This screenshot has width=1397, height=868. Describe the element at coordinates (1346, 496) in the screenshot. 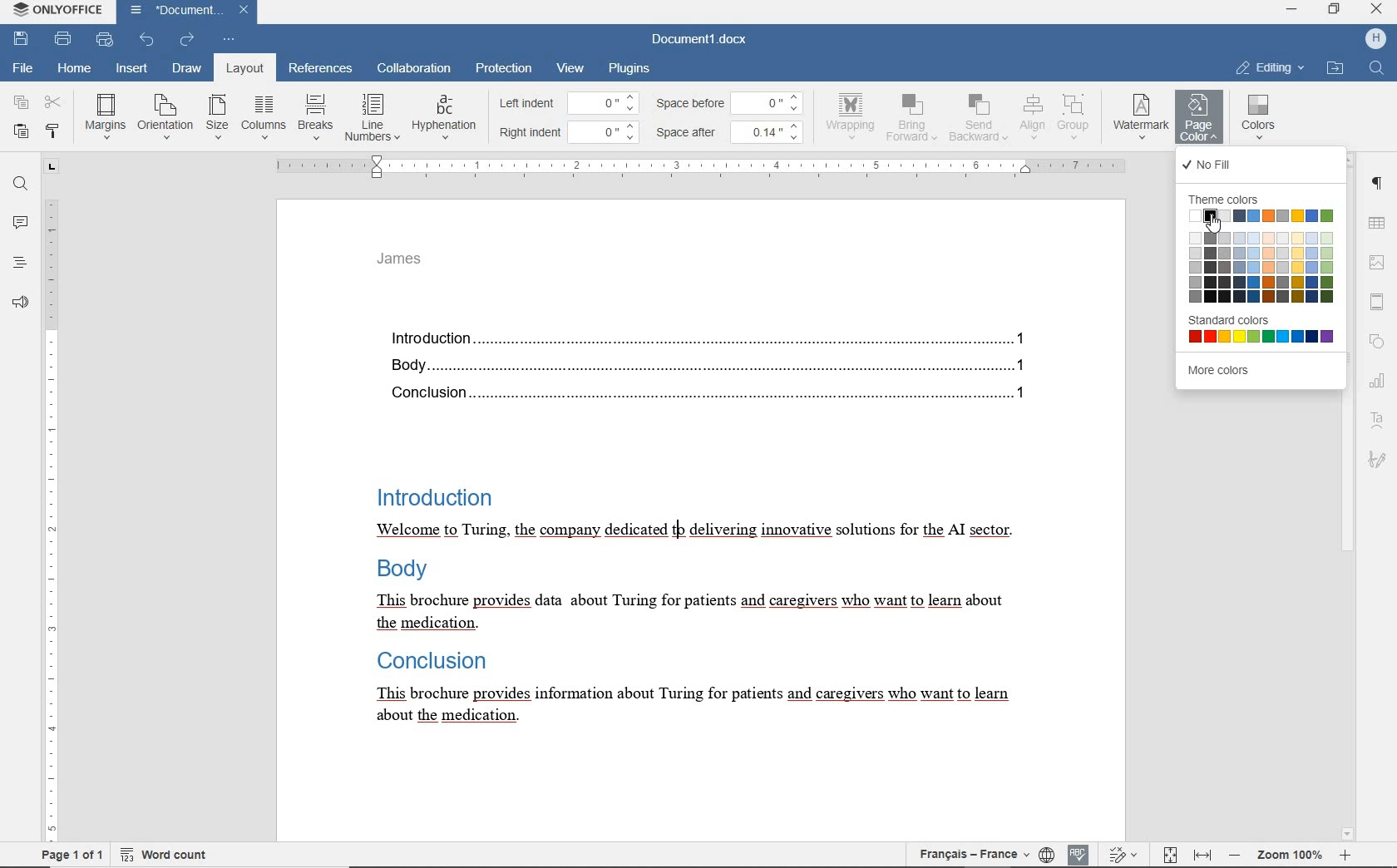

I see `scrollbar` at that location.